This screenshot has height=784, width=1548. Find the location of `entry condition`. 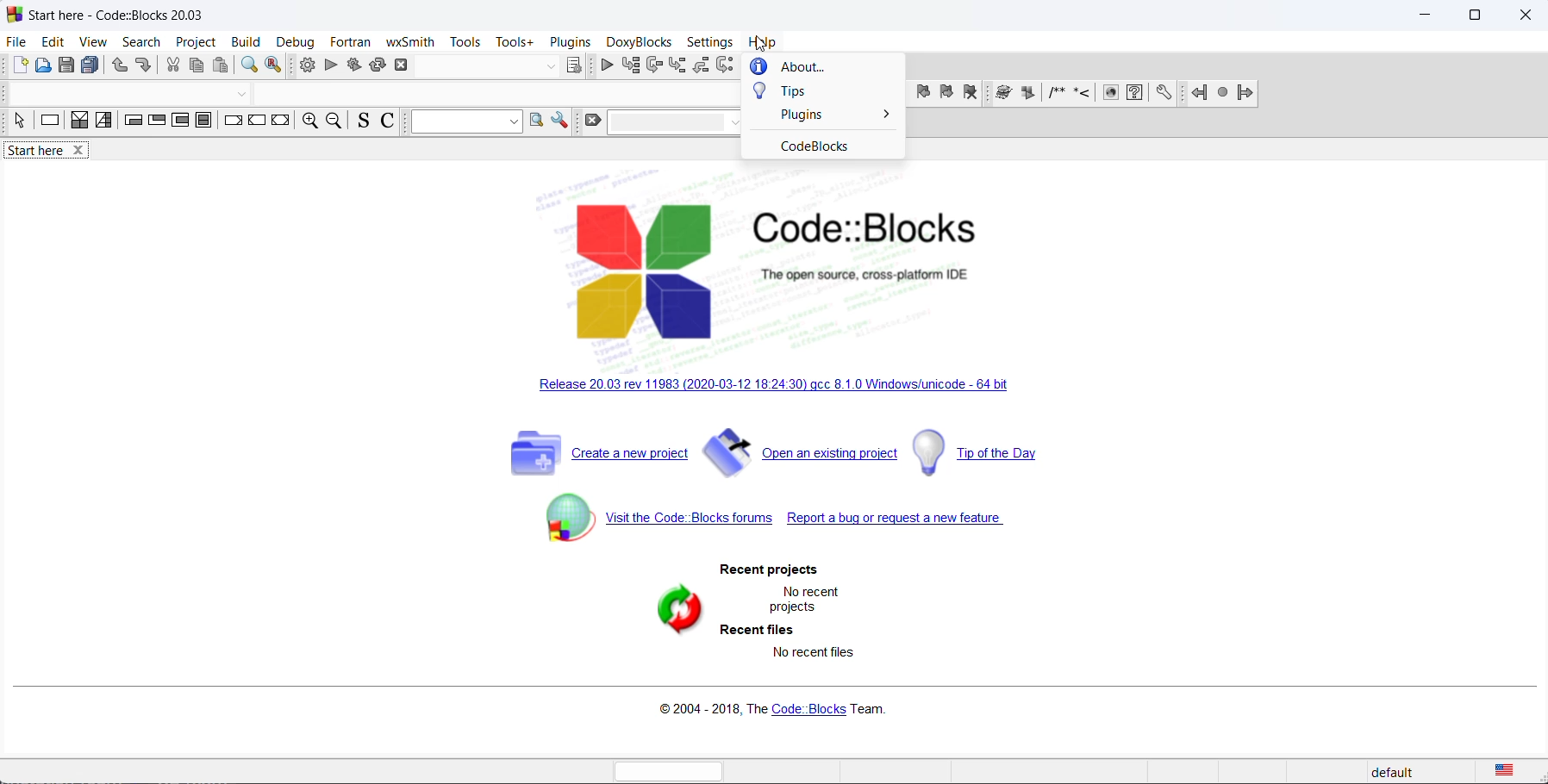

entry condition is located at coordinates (131, 122).